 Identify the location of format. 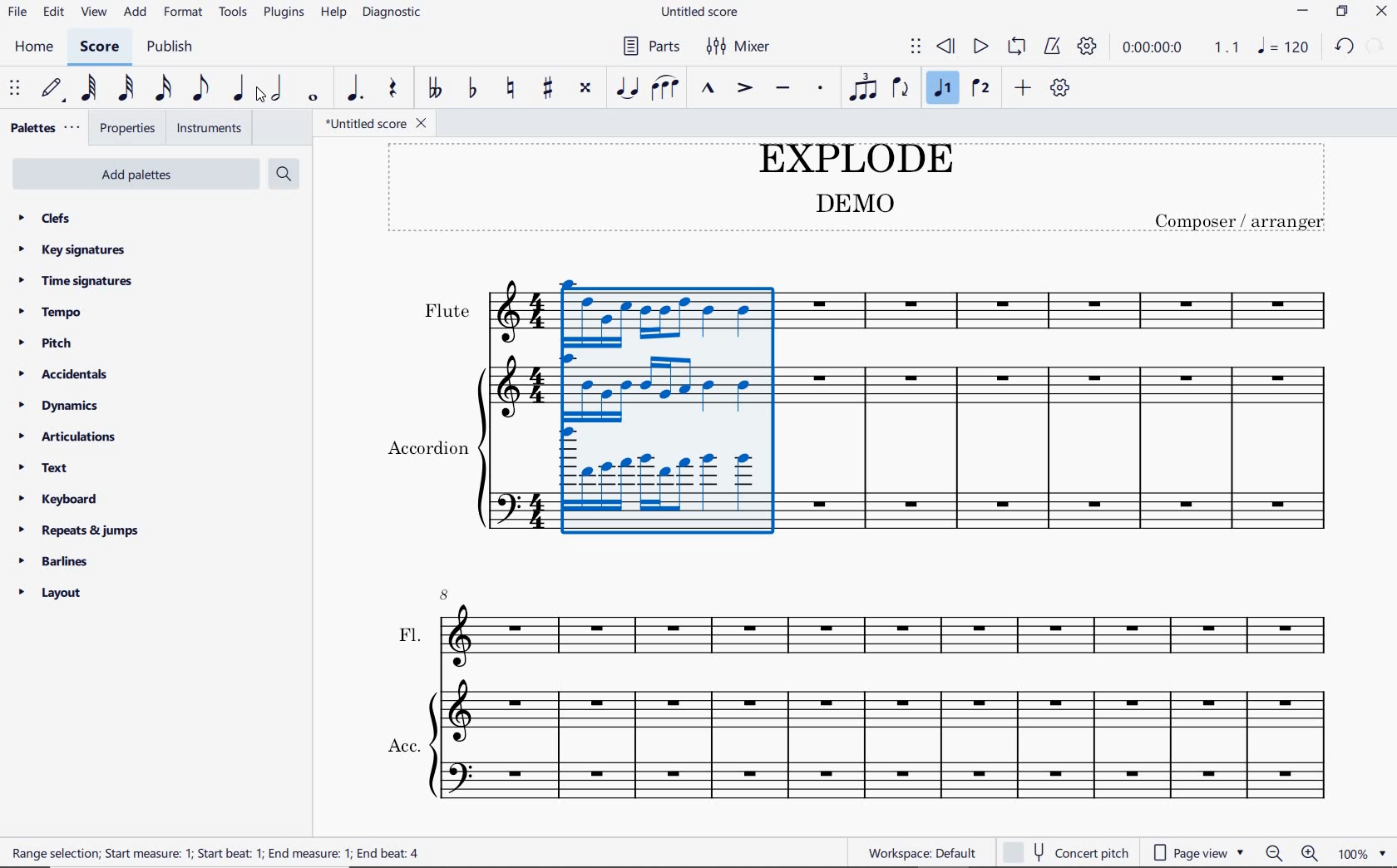
(183, 13).